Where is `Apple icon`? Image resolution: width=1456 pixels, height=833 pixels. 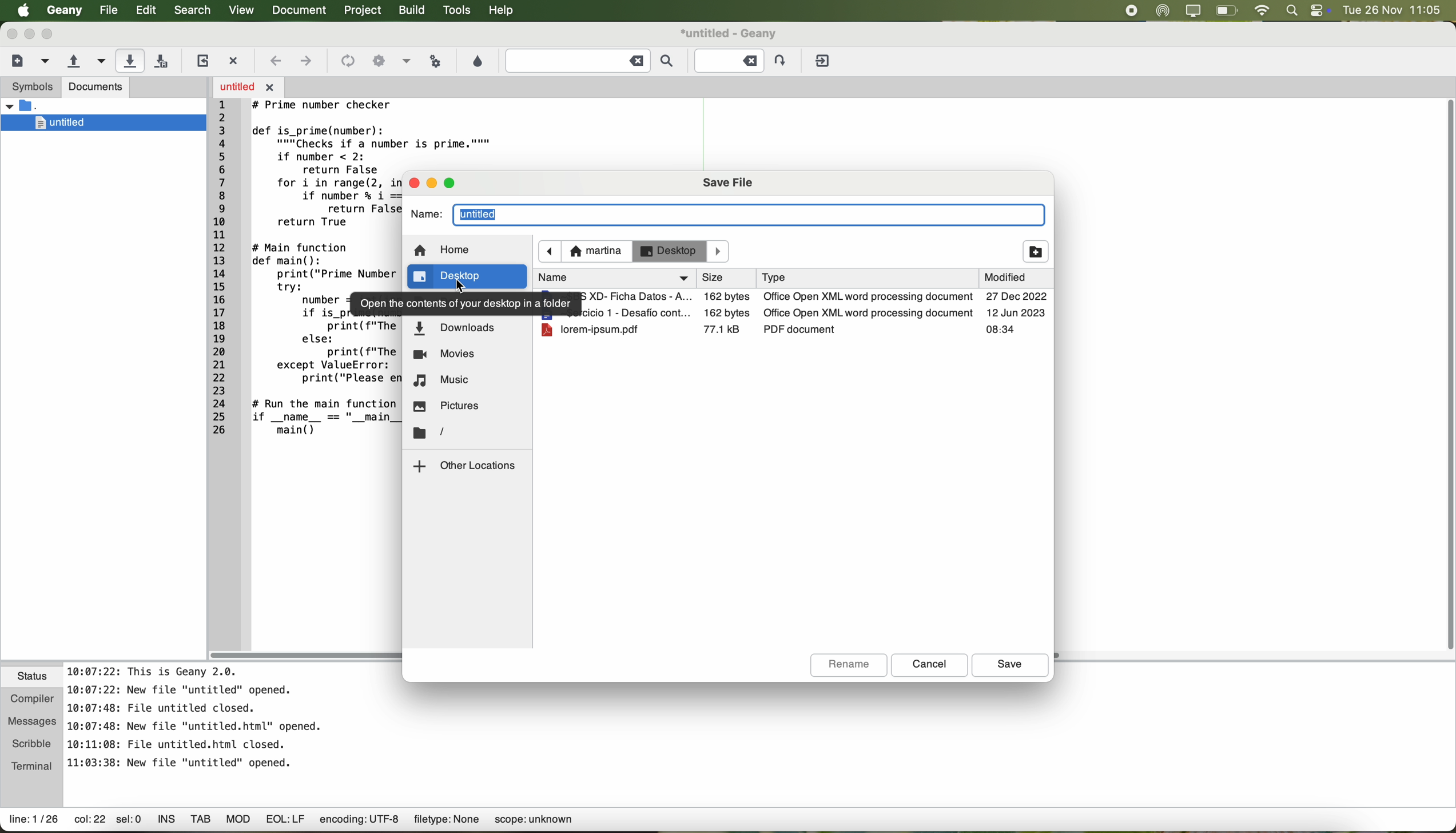
Apple icon is located at coordinates (18, 10).